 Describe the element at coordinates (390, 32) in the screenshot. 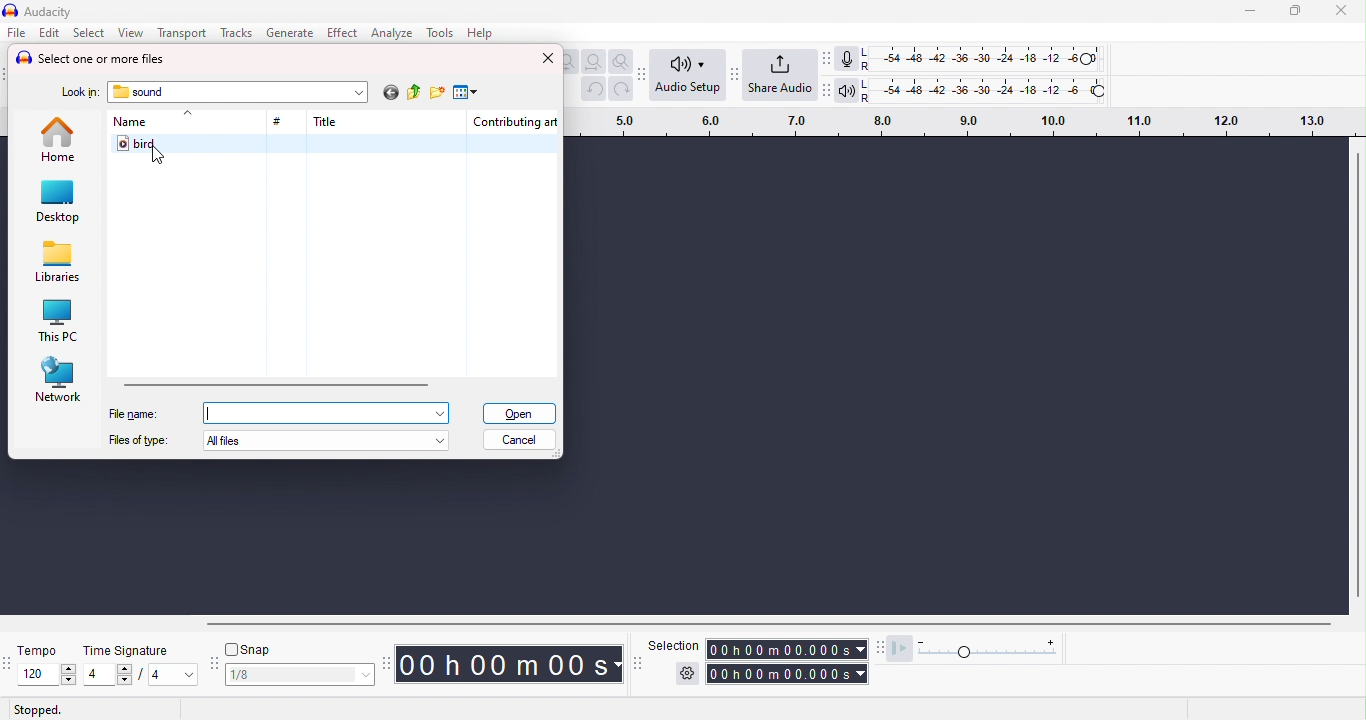

I see `analyze` at that location.